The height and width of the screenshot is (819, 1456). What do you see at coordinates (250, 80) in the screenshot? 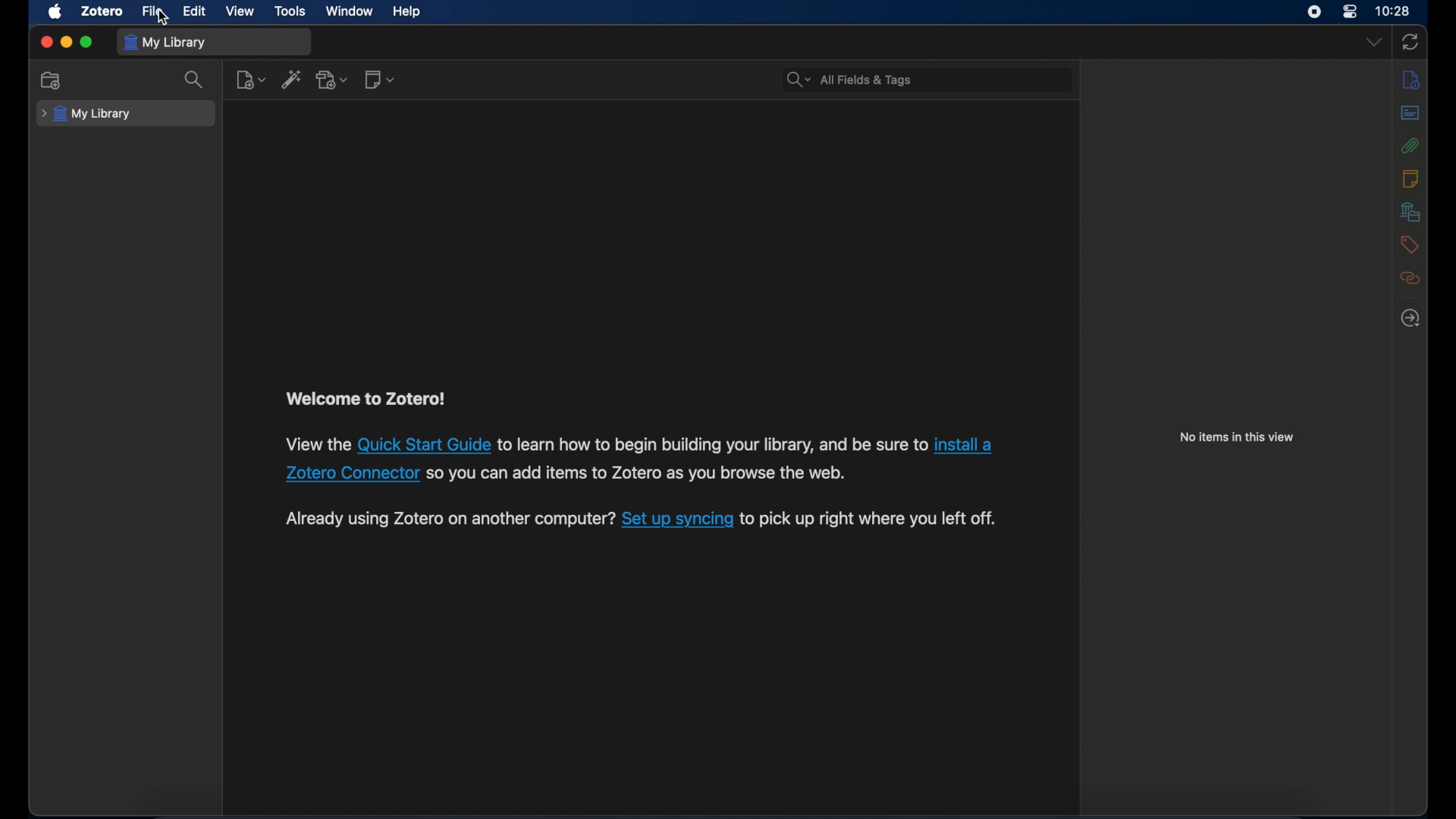
I see `new item` at bounding box center [250, 80].